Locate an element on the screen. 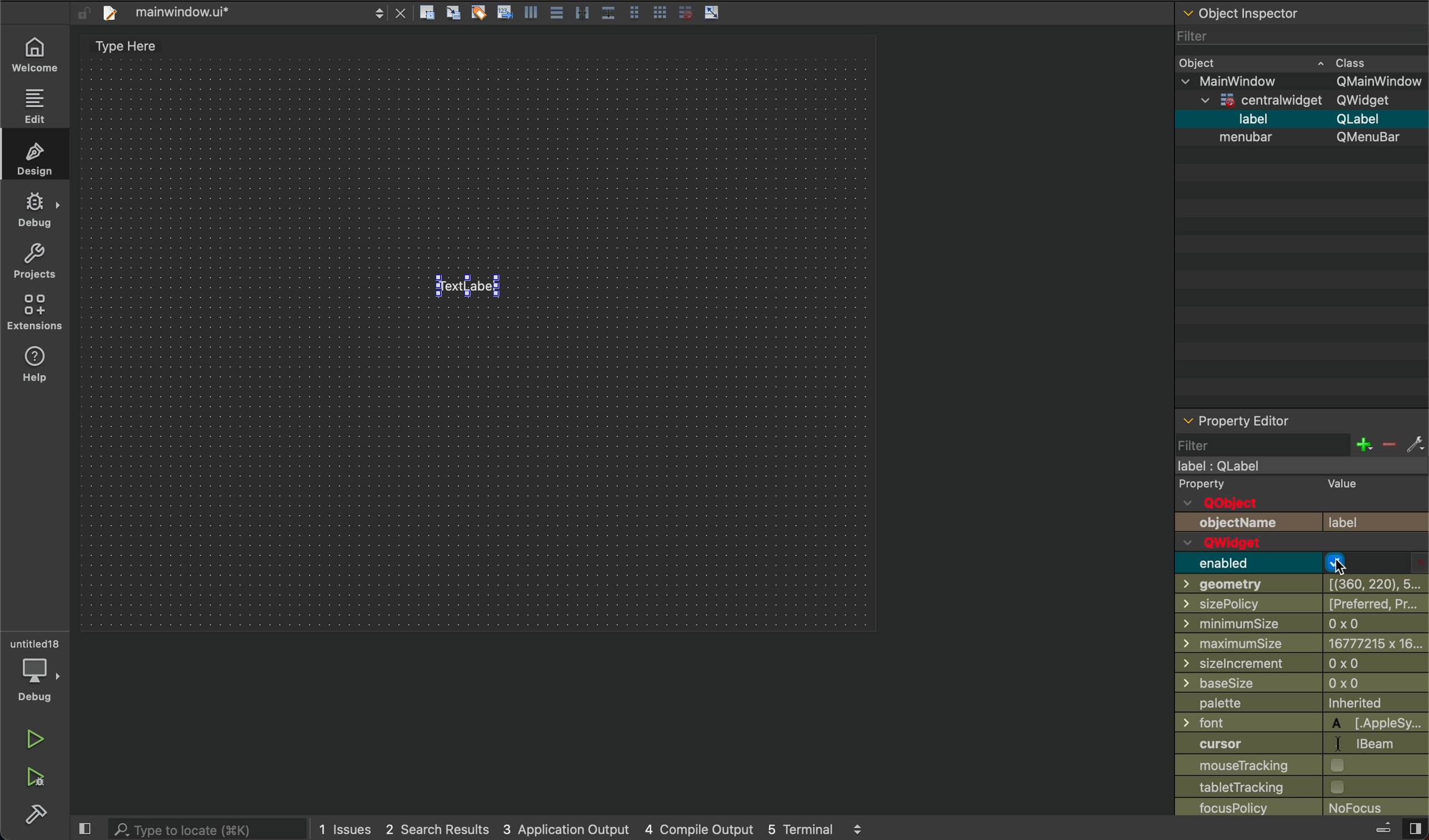 Image resolution: width=1429 pixels, height=840 pixels. mouse tracking is located at coordinates (1244, 766).